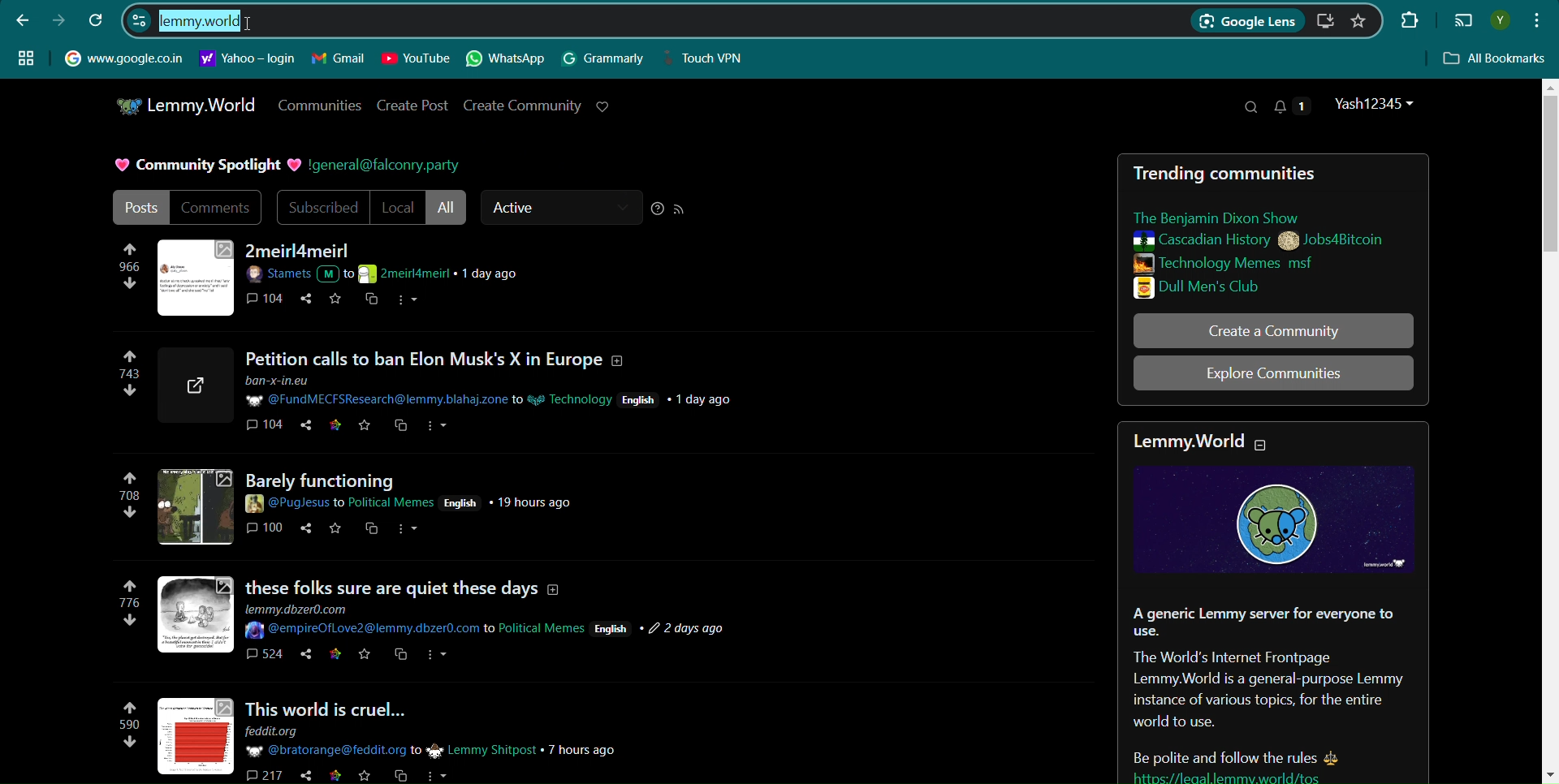  I want to click on Profile, so click(1500, 20).